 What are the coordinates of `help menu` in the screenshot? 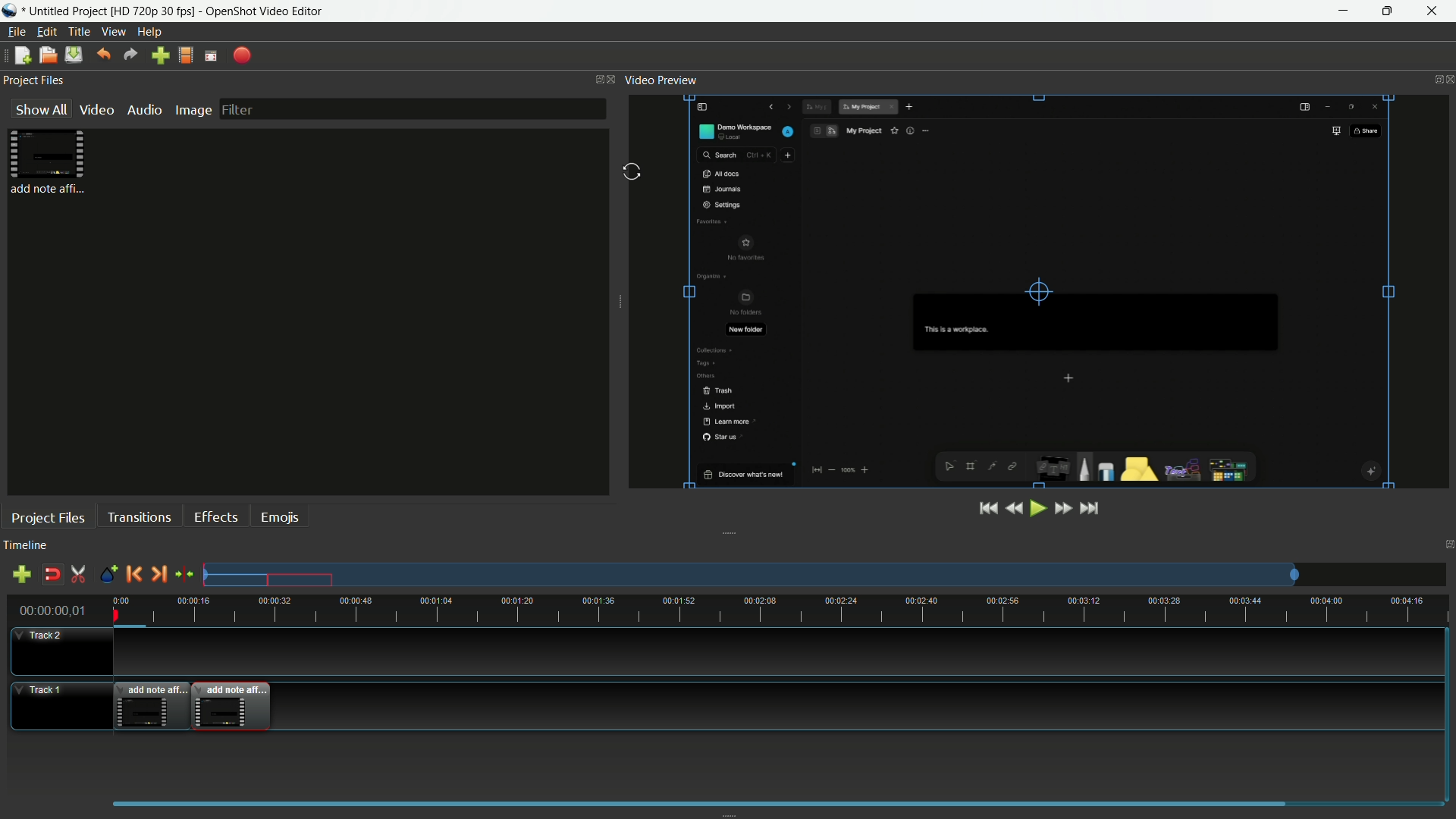 It's located at (149, 33).